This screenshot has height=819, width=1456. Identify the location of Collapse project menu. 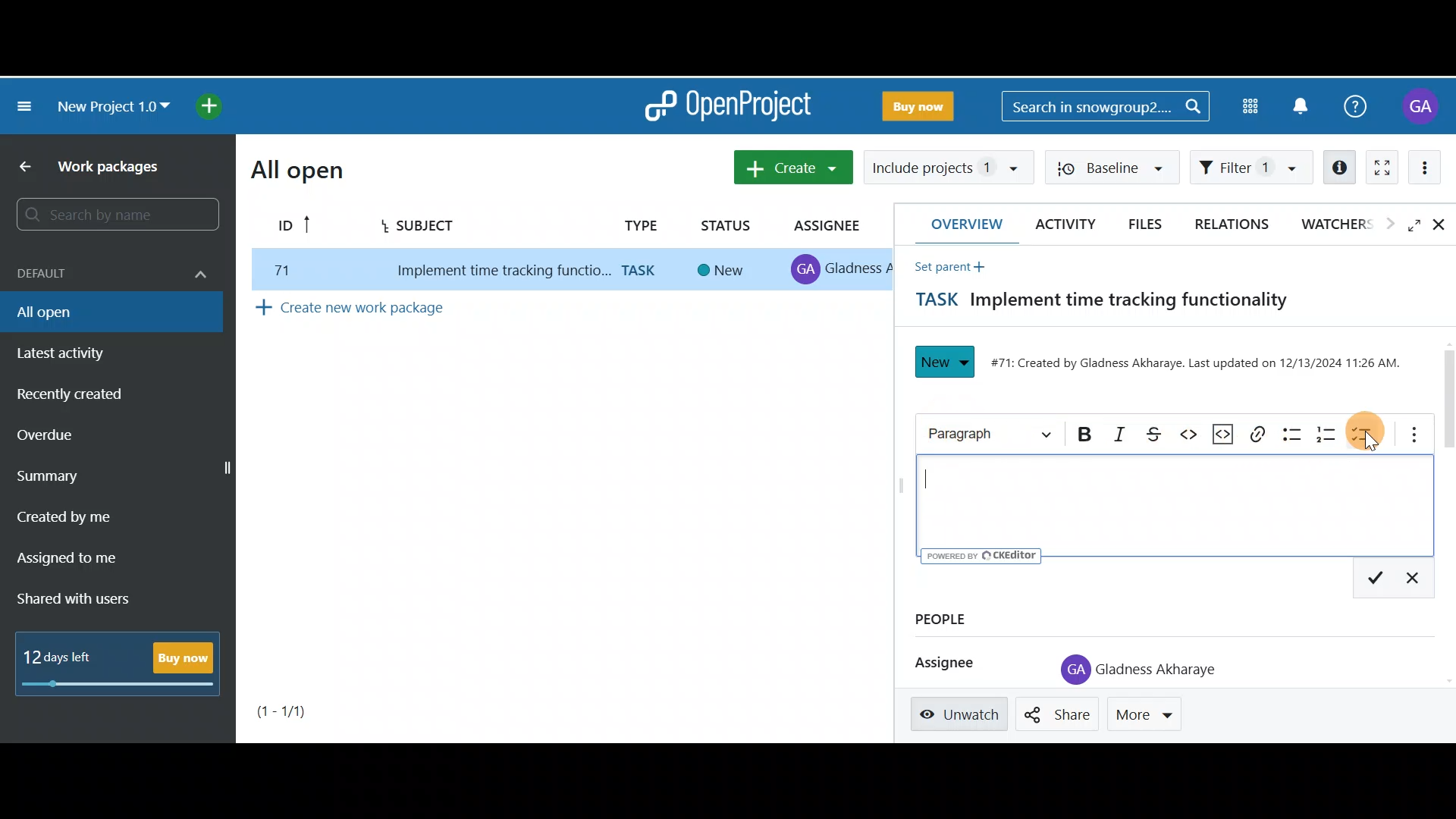
(26, 110).